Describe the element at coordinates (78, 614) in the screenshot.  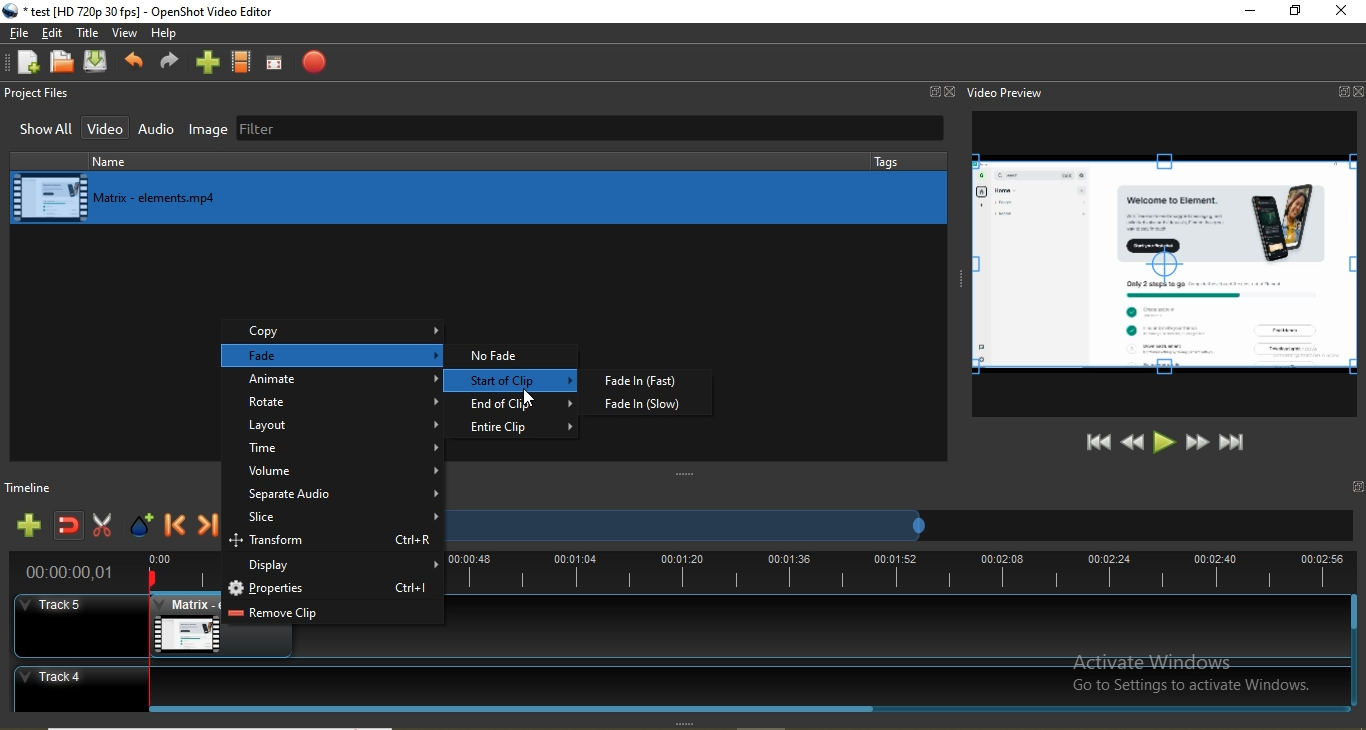
I see `track 5` at that location.